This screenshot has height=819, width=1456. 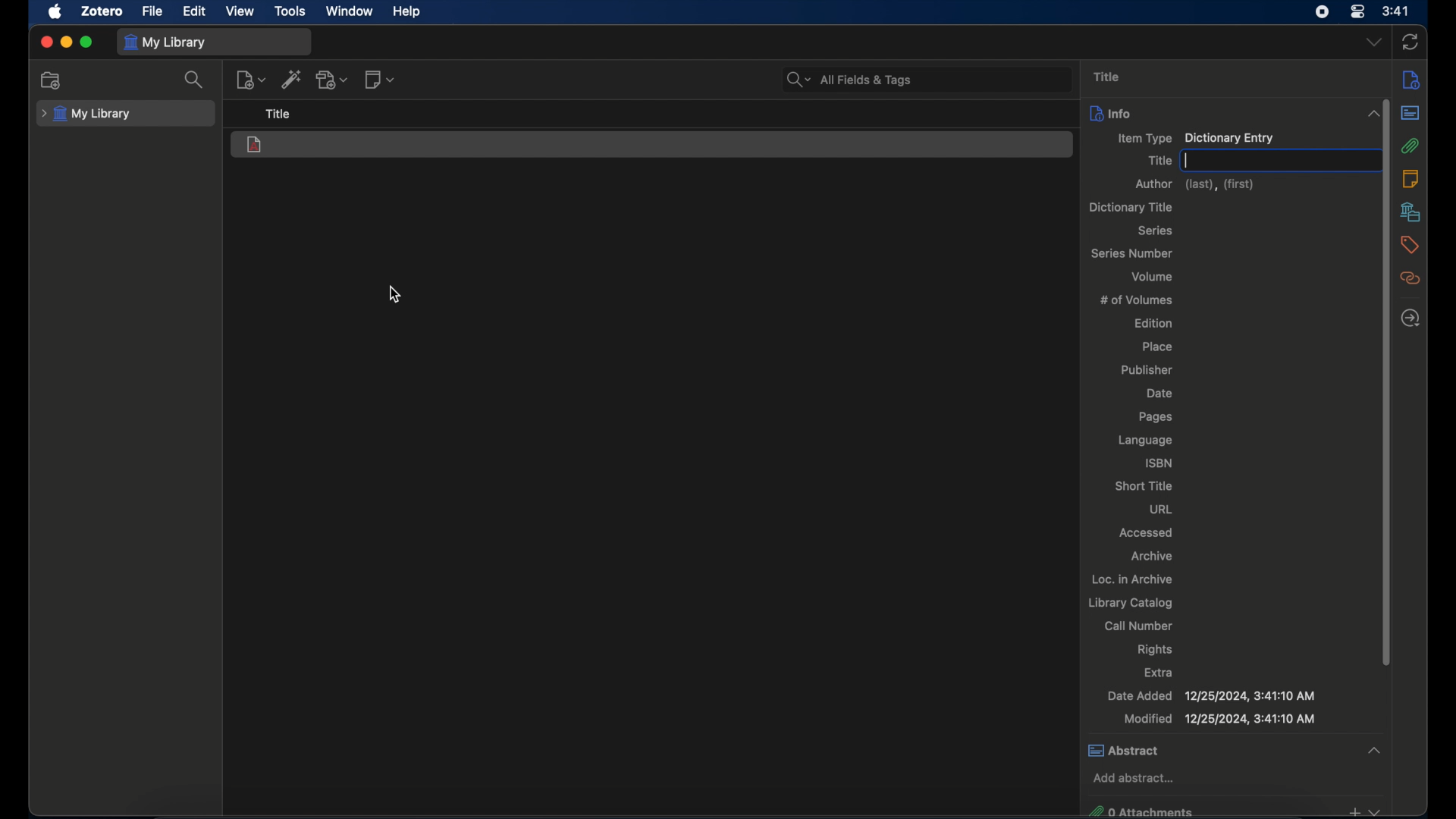 What do you see at coordinates (850, 80) in the screenshot?
I see `all fields & tags` at bounding box center [850, 80].